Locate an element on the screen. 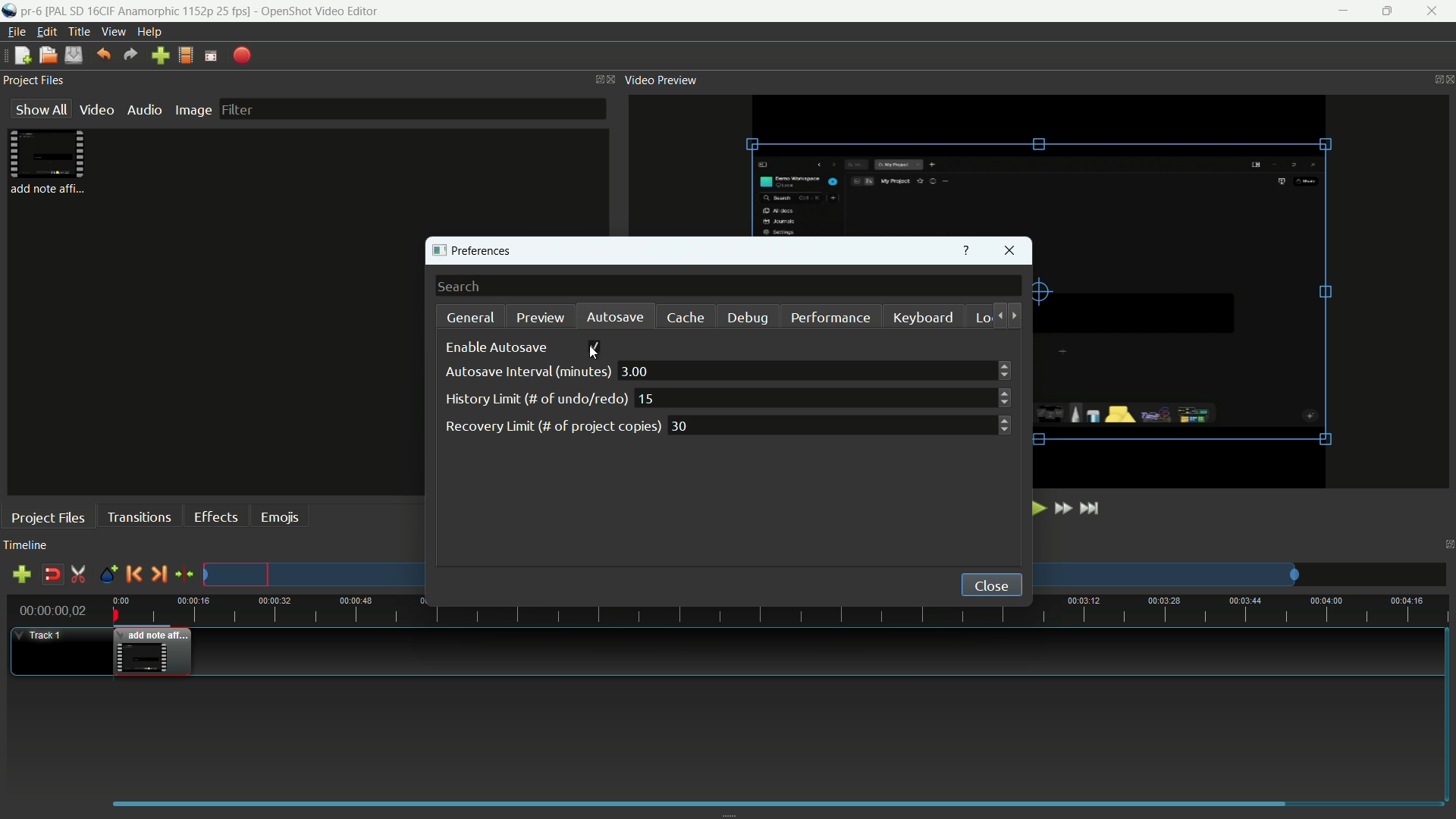 Image resolution: width=1456 pixels, height=819 pixels. preview is located at coordinates (538, 319).